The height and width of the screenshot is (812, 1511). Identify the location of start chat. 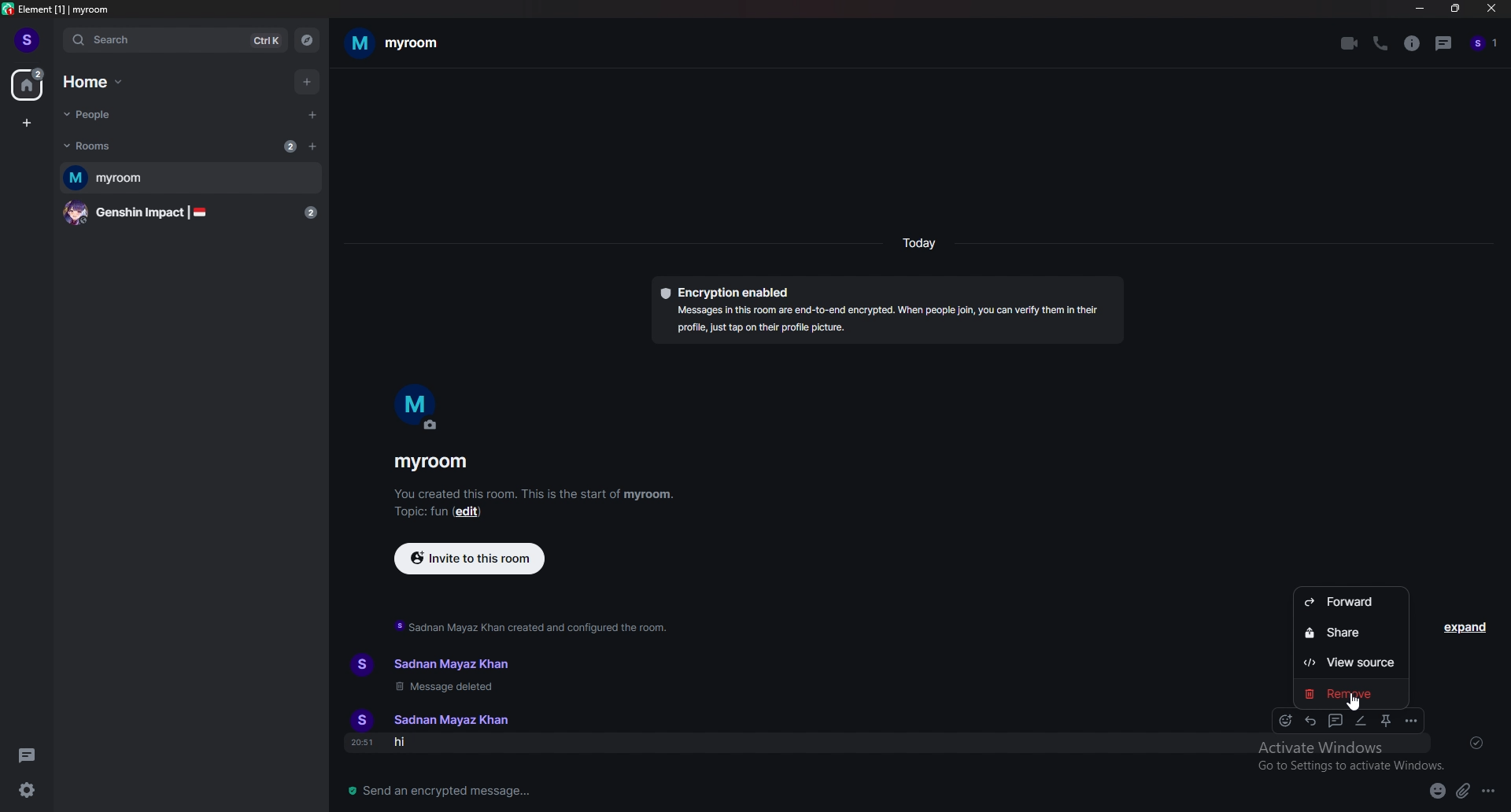
(311, 115).